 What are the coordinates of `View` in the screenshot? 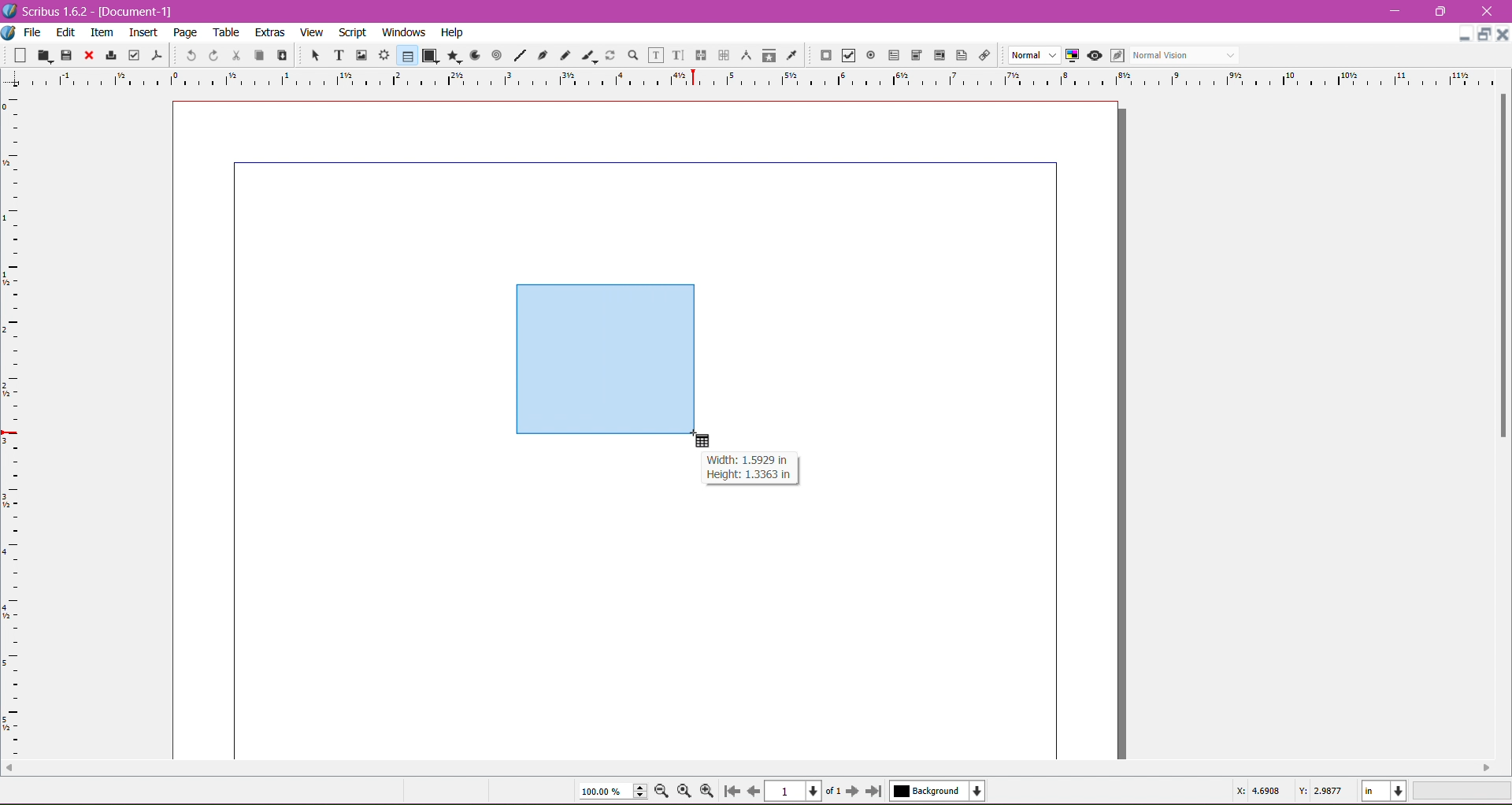 It's located at (312, 32).